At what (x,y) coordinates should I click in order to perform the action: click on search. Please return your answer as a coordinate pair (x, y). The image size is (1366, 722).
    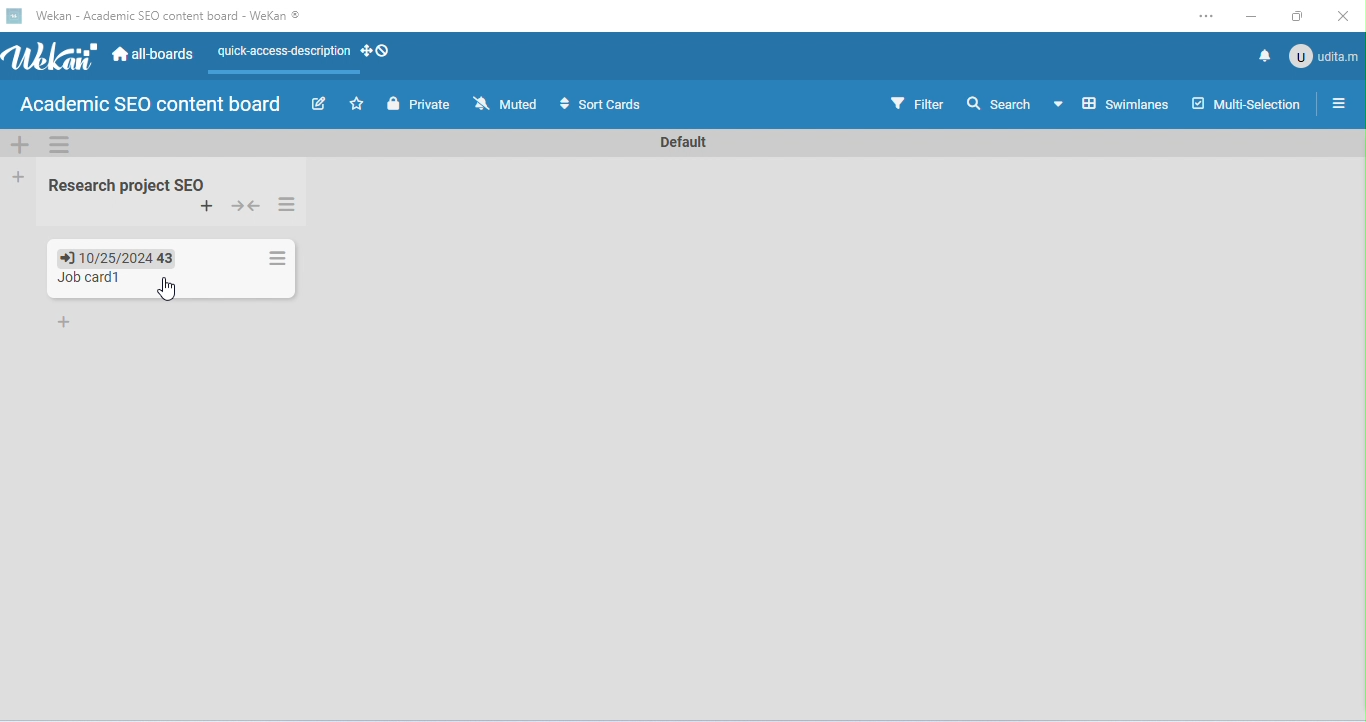
    Looking at the image, I should click on (1001, 105).